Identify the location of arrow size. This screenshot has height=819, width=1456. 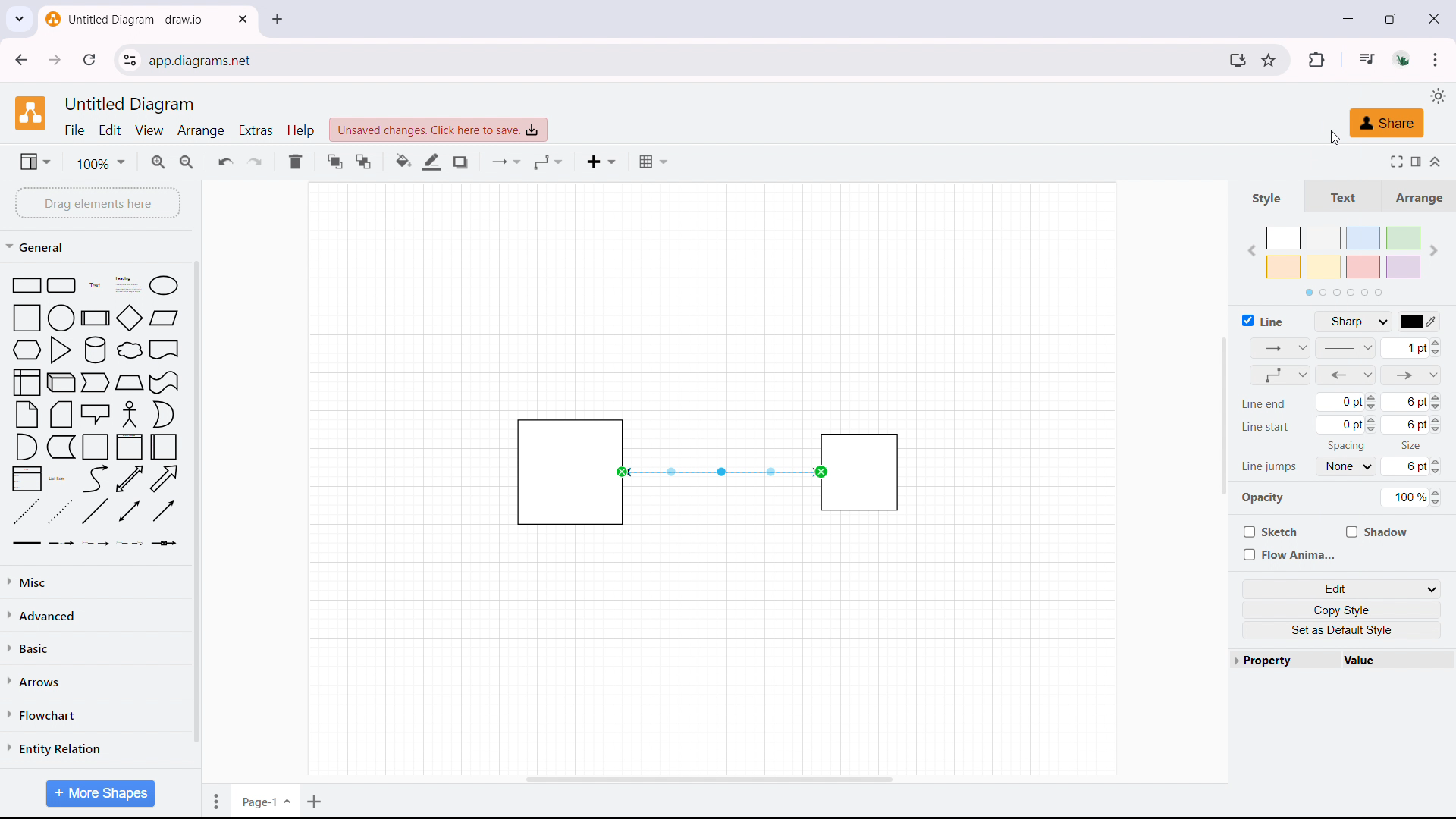
(1410, 348).